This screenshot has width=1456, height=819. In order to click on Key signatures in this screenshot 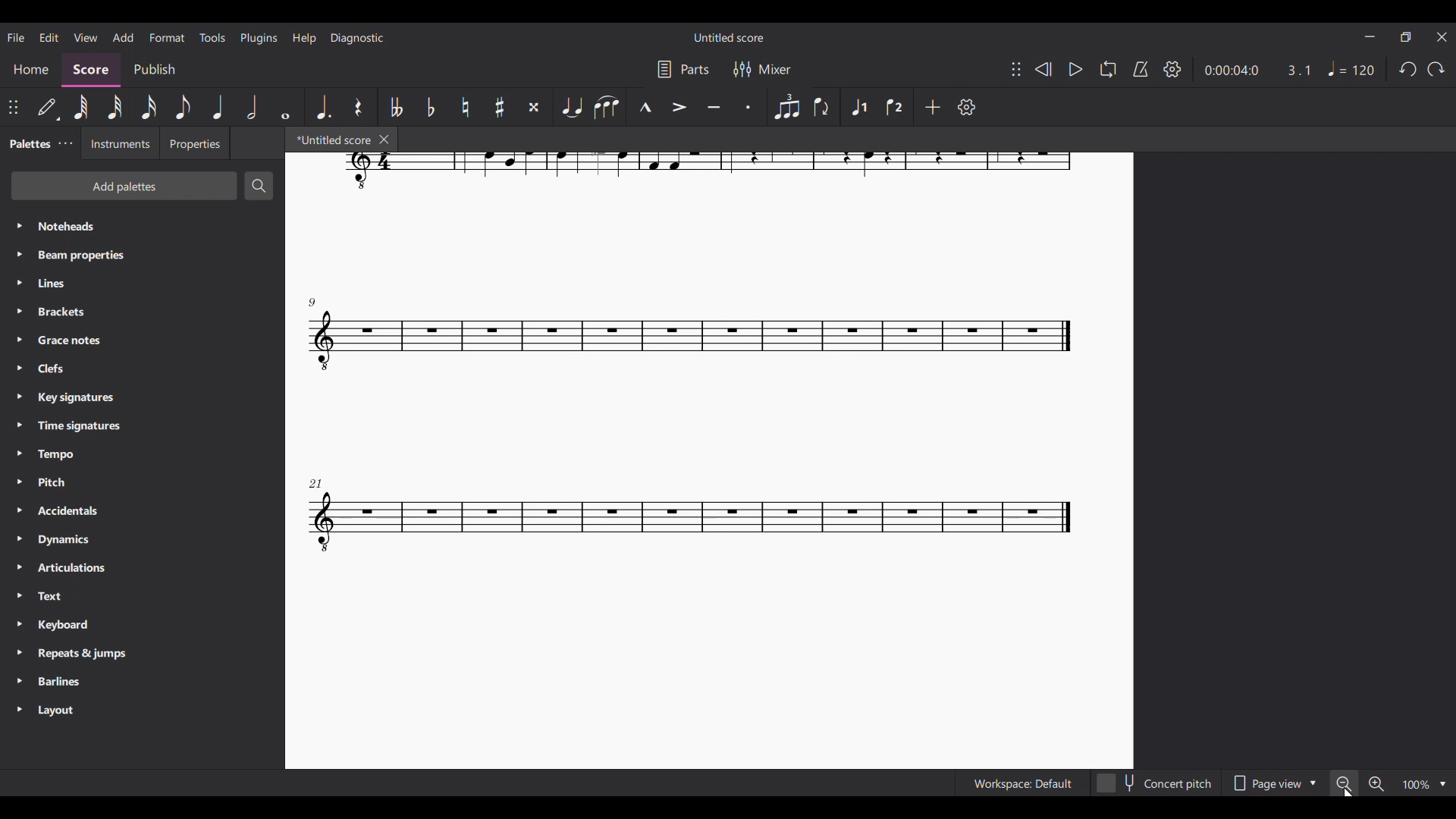, I will do `click(143, 398)`.